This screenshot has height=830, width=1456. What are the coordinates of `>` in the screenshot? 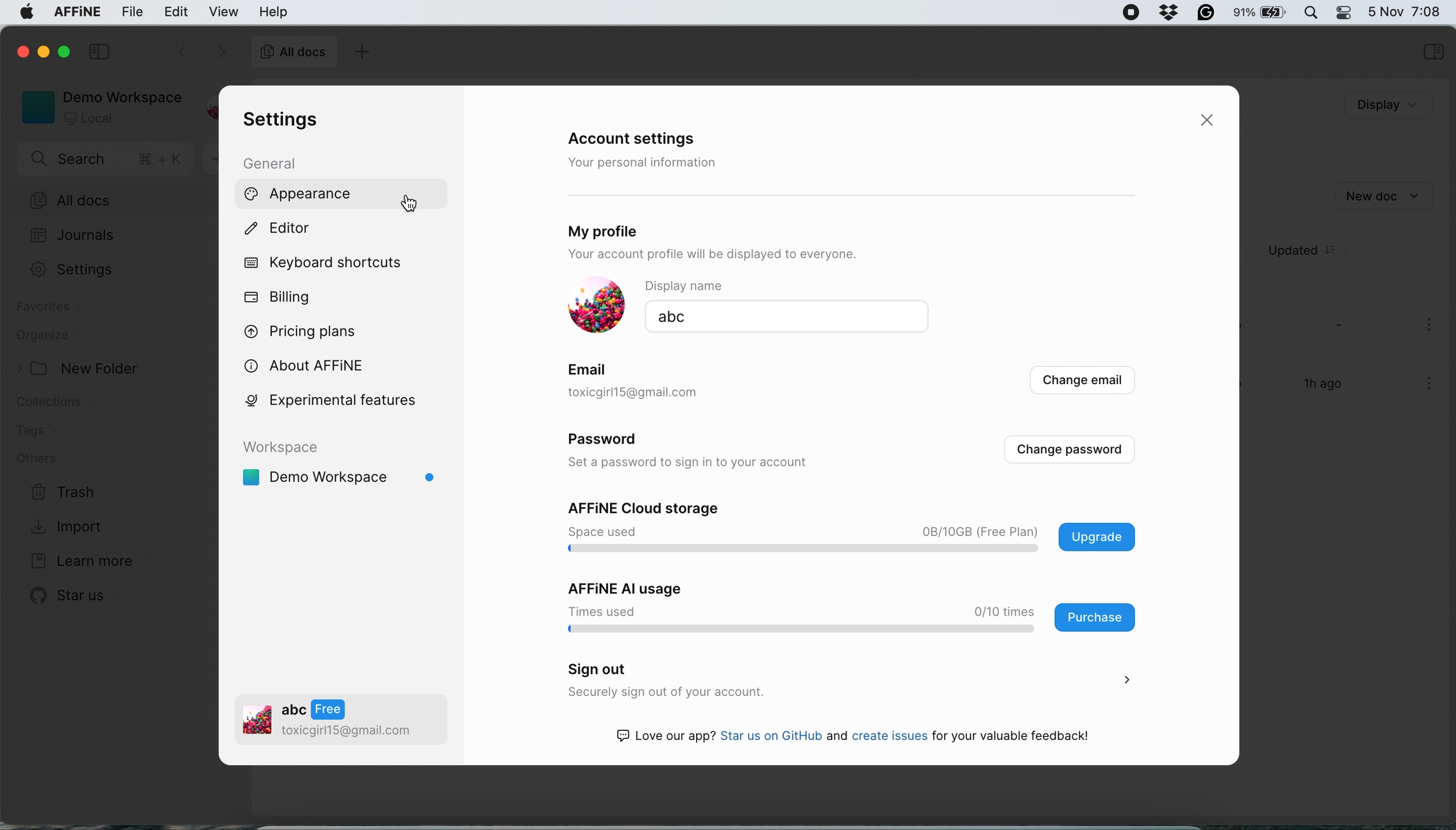 It's located at (1128, 681).